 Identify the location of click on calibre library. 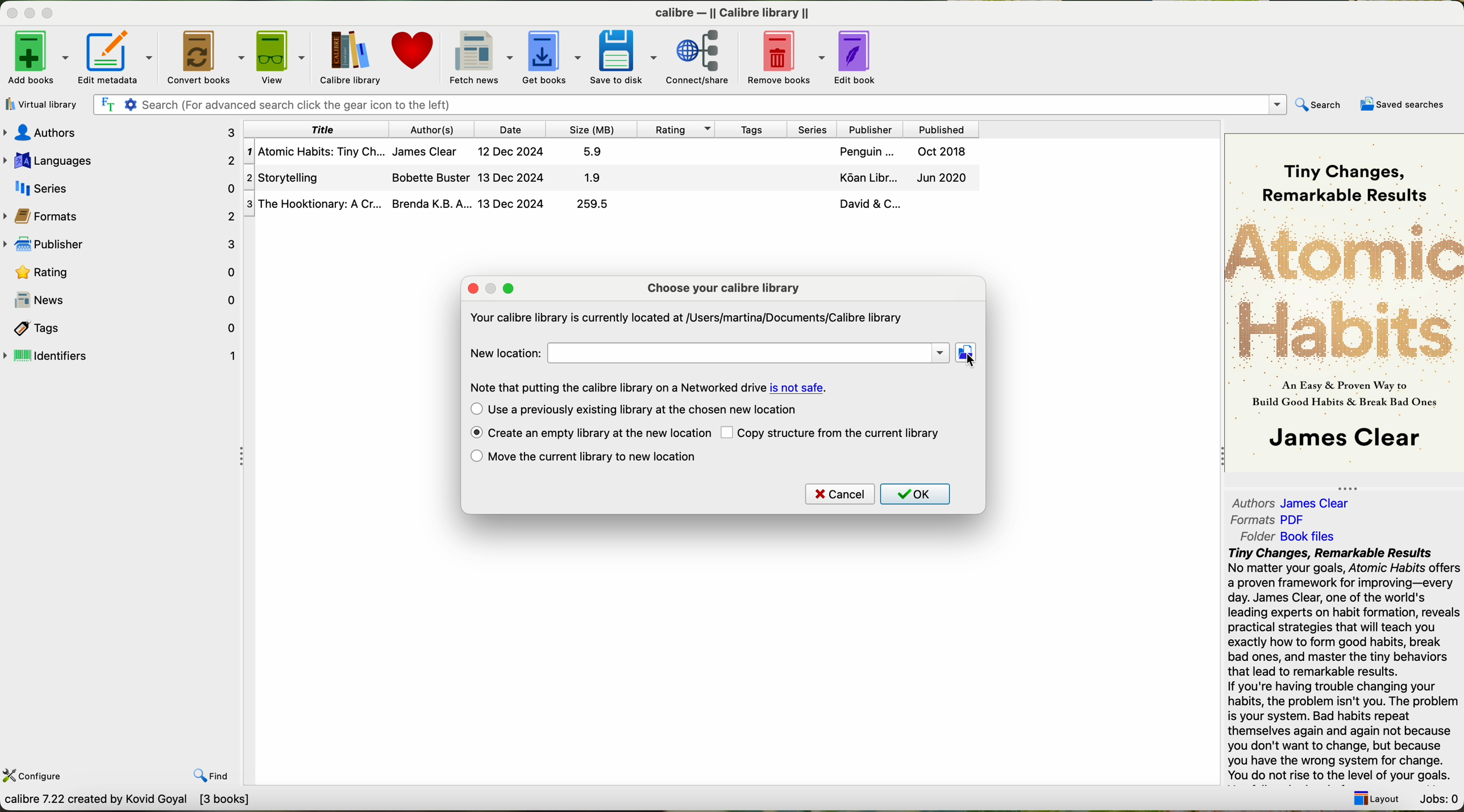
(348, 57).